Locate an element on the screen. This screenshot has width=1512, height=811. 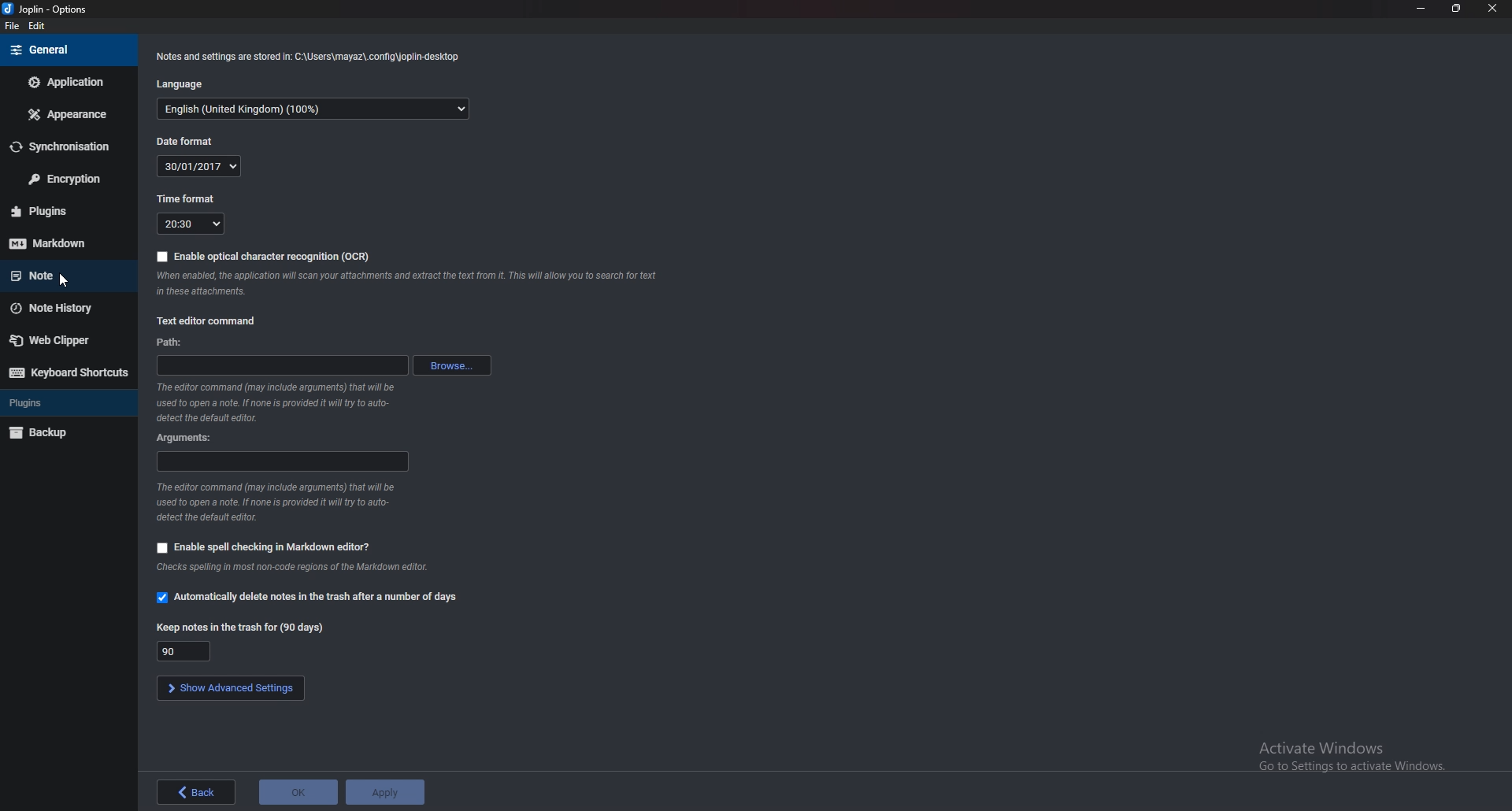
Enable spell checking is located at coordinates (265, 548).